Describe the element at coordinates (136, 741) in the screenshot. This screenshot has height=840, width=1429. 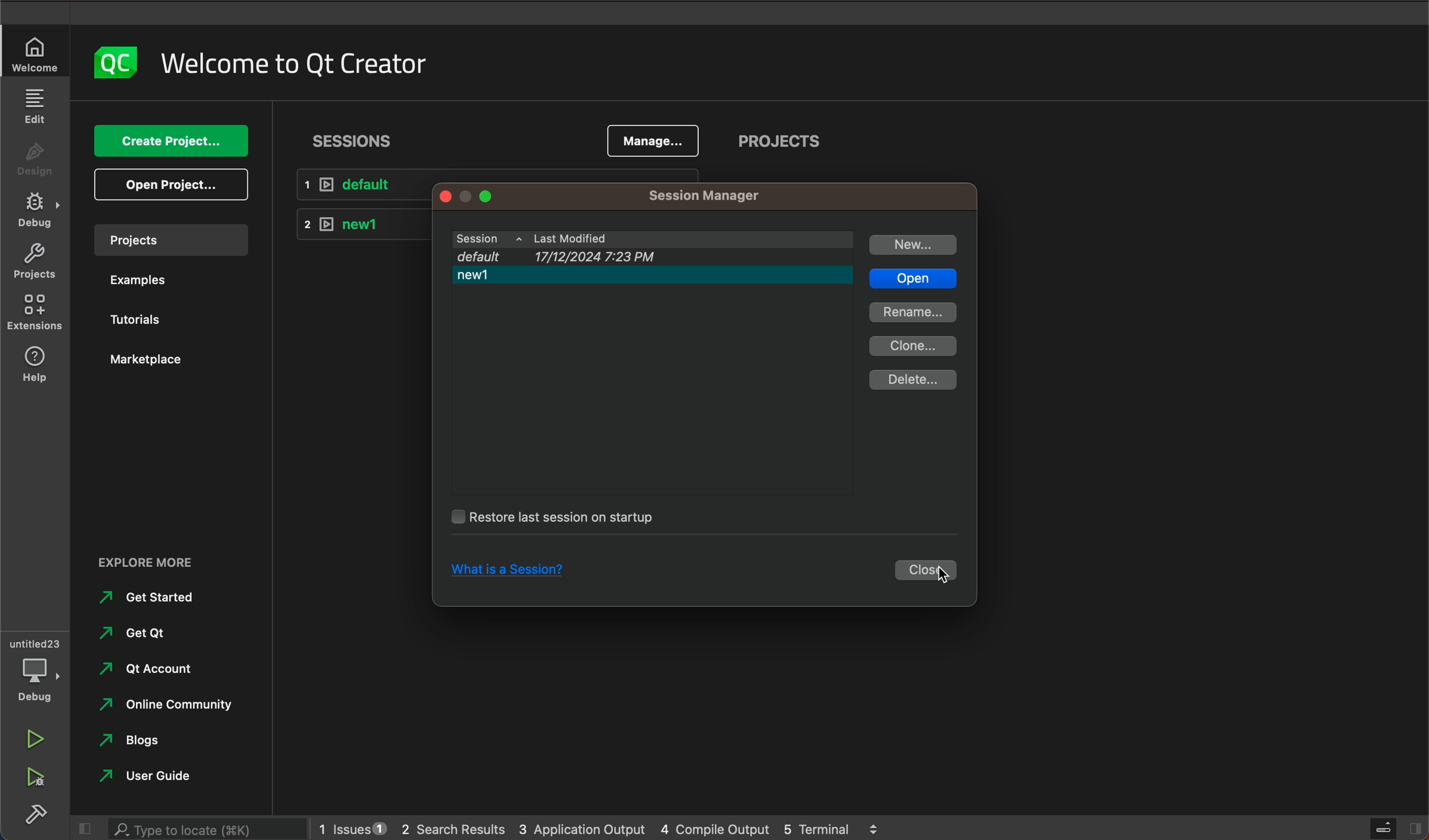
I see `blogs` at that location.